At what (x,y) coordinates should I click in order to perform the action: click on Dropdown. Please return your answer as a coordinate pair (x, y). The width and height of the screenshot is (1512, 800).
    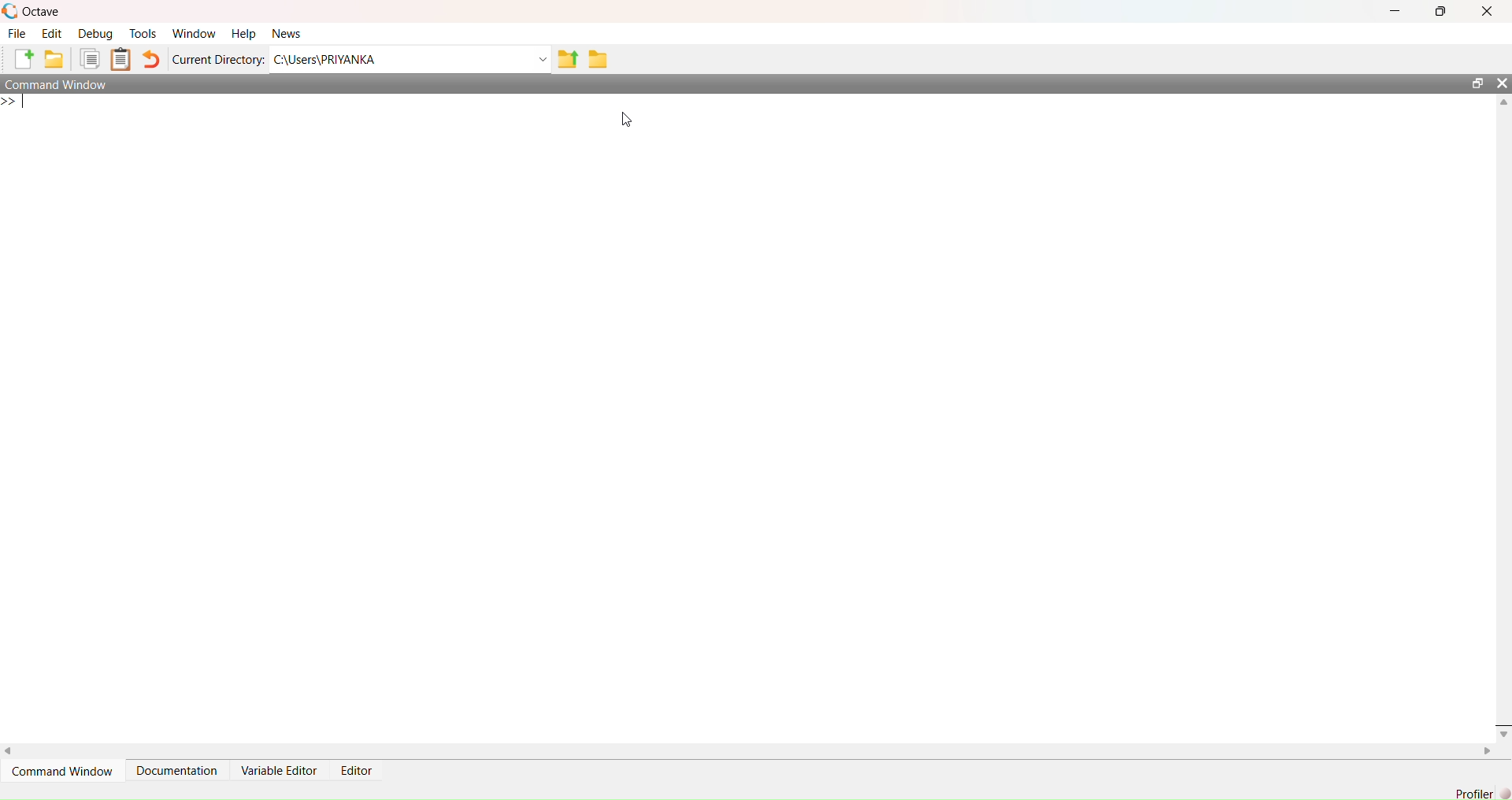
    Looking at the image, I should click on (543, 59).